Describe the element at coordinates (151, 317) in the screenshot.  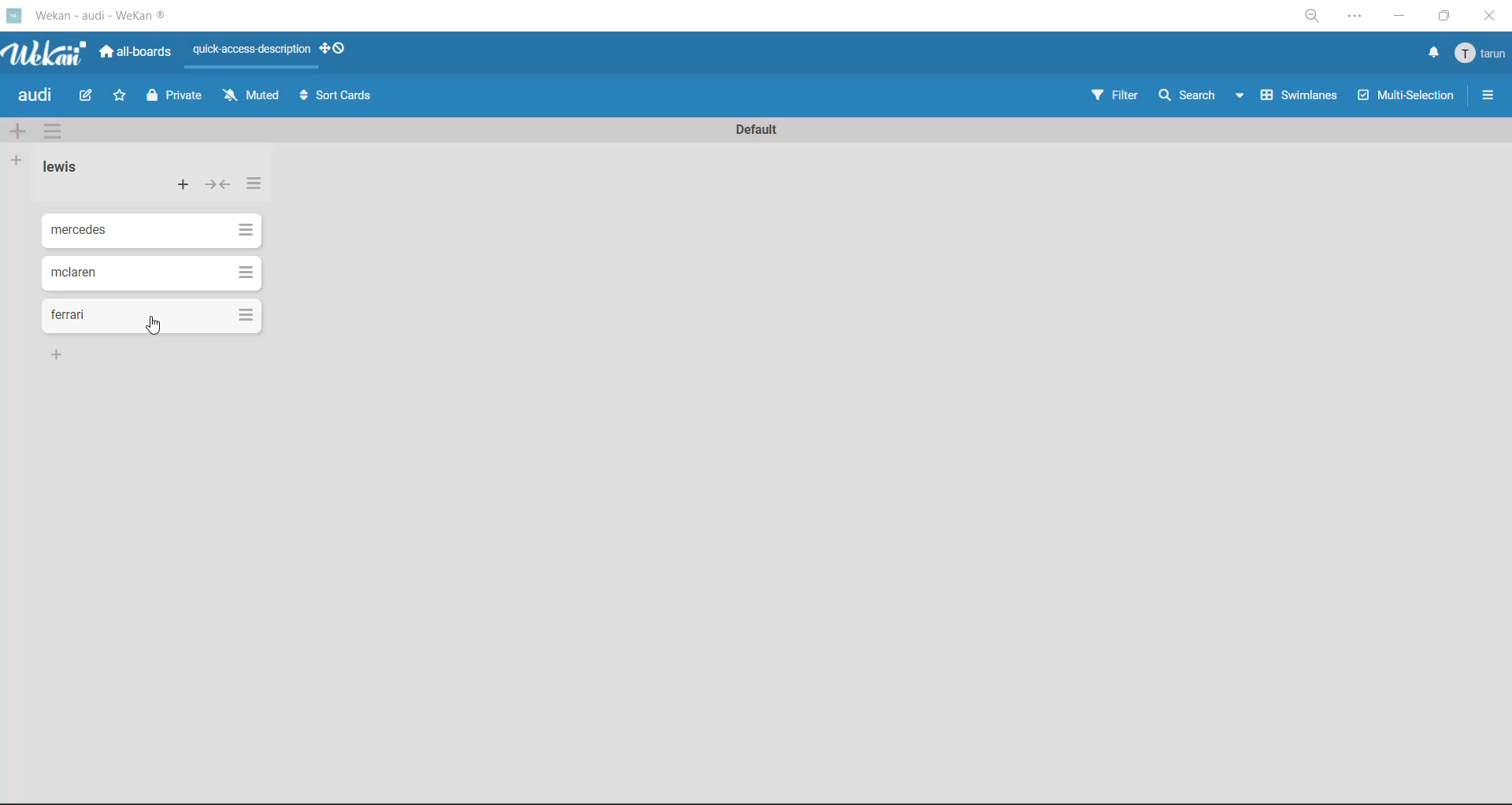
I see `cards` at that location.